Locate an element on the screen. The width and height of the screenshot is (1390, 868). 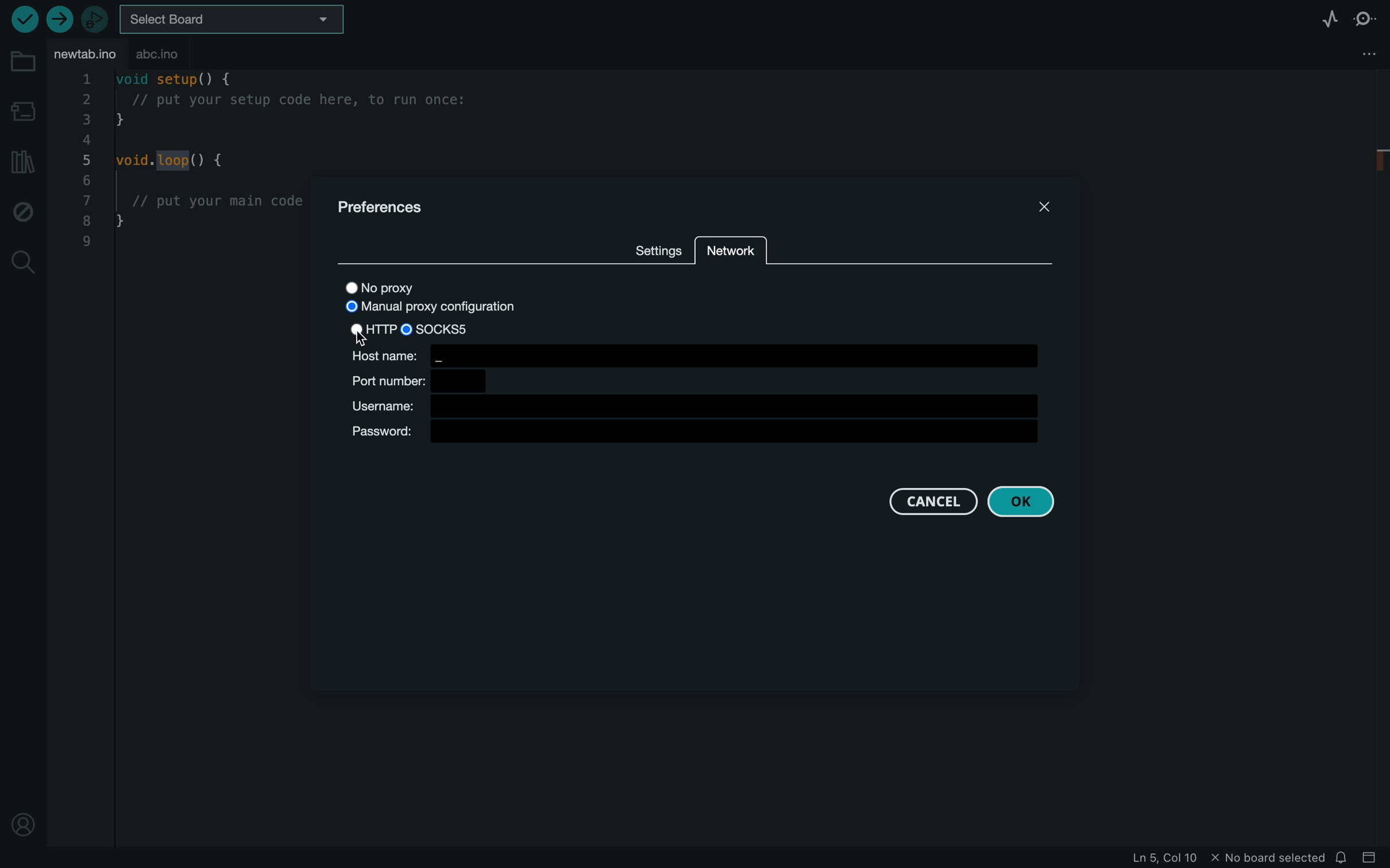
close slide bar is located at coordinates (1371, 859).